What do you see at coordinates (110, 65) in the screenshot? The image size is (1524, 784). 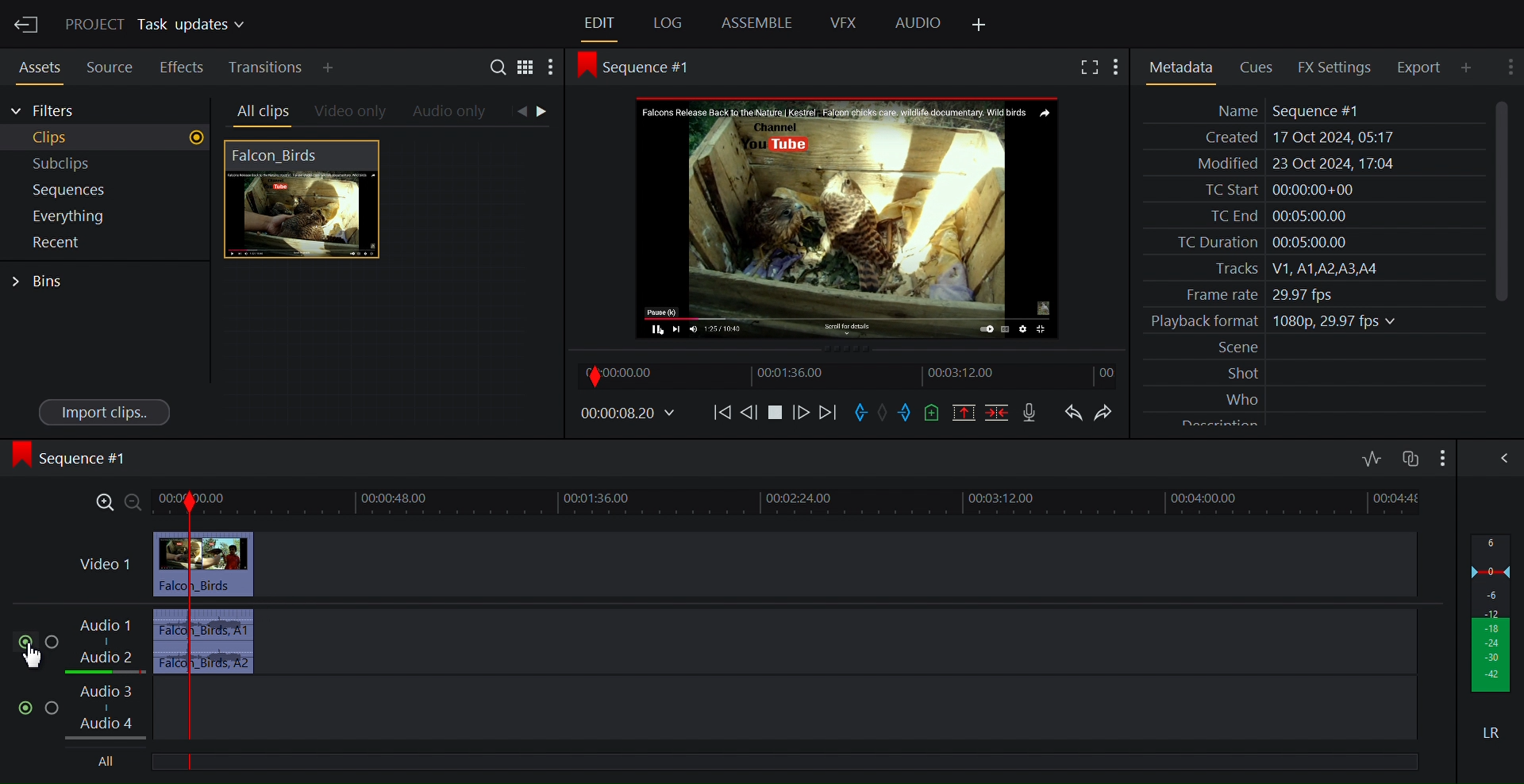 I see `Source` at bounding box center [110, 65].